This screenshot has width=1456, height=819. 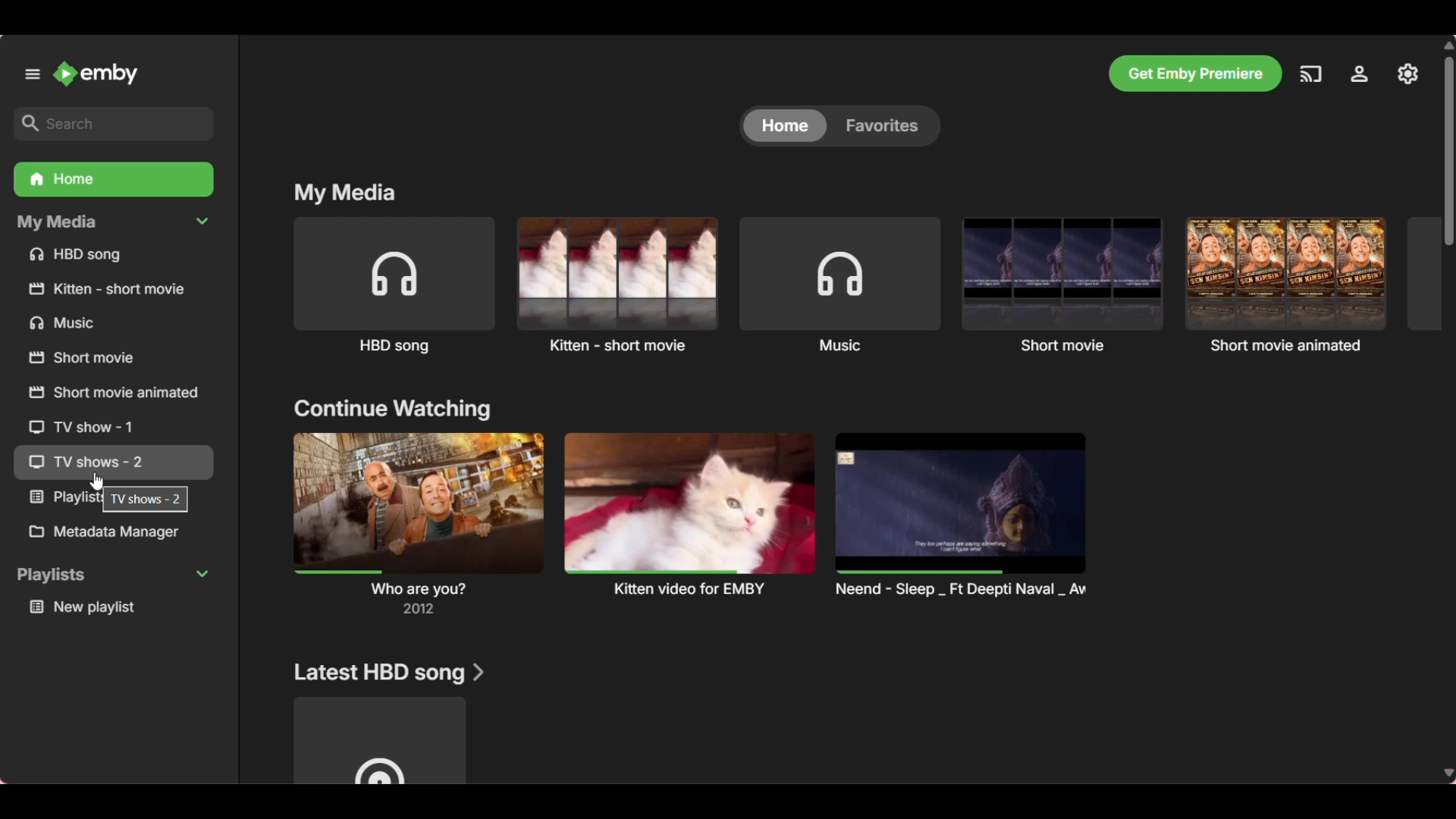 I want to click on Collapse Playlists, so click(x=111, y=576).